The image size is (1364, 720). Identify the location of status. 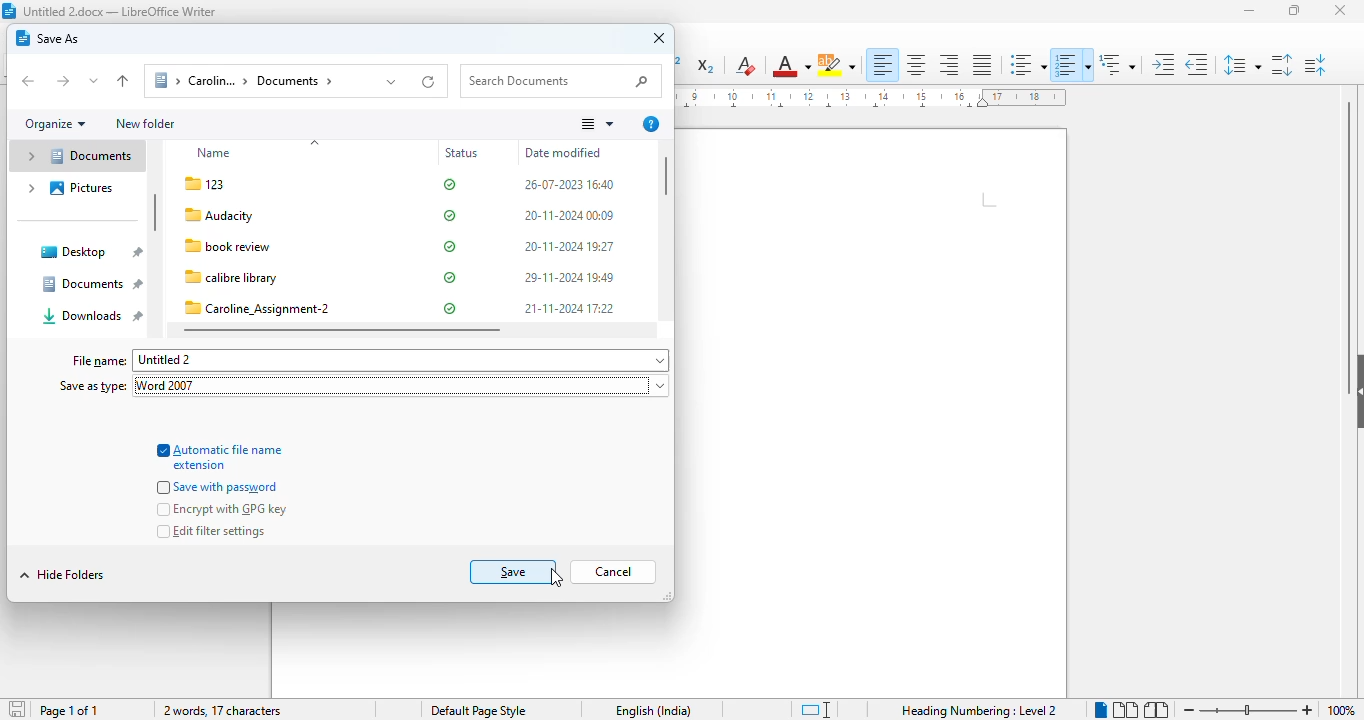
(450, 246).